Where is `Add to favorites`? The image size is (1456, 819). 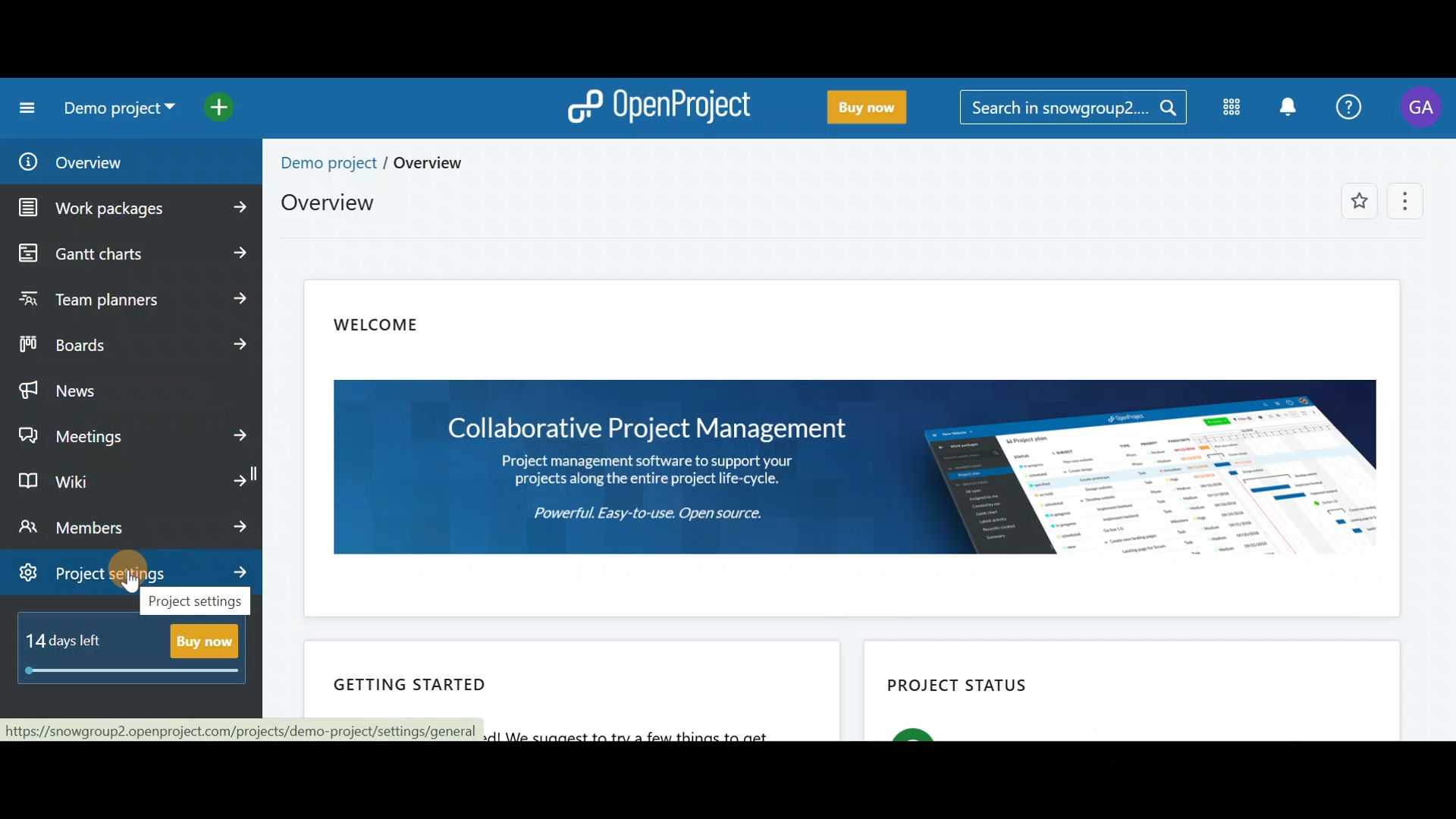
Add to favorites is located at coordinates (1360, 202).